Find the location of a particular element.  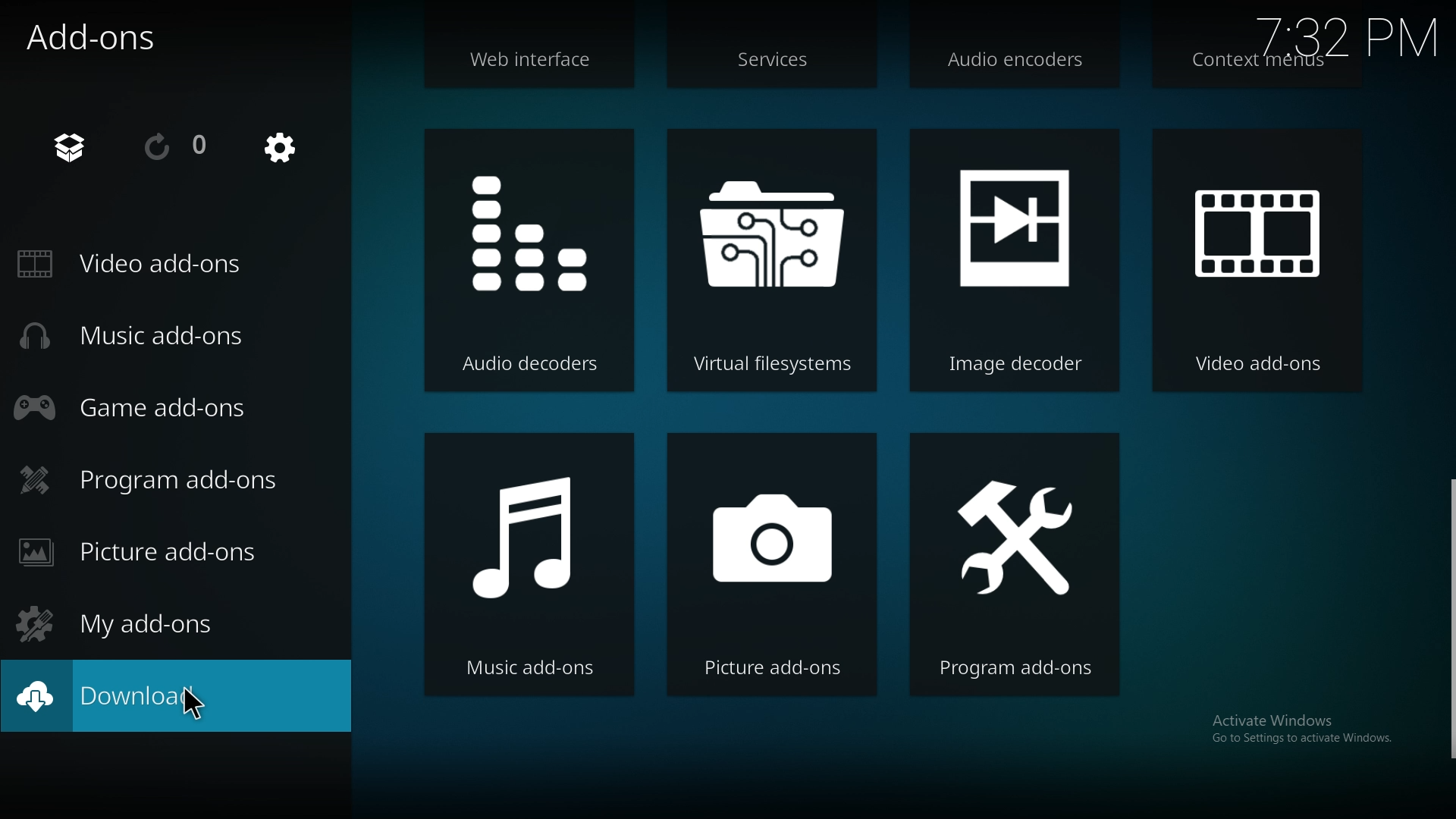

context menus is located at coordinates (1257, 63).